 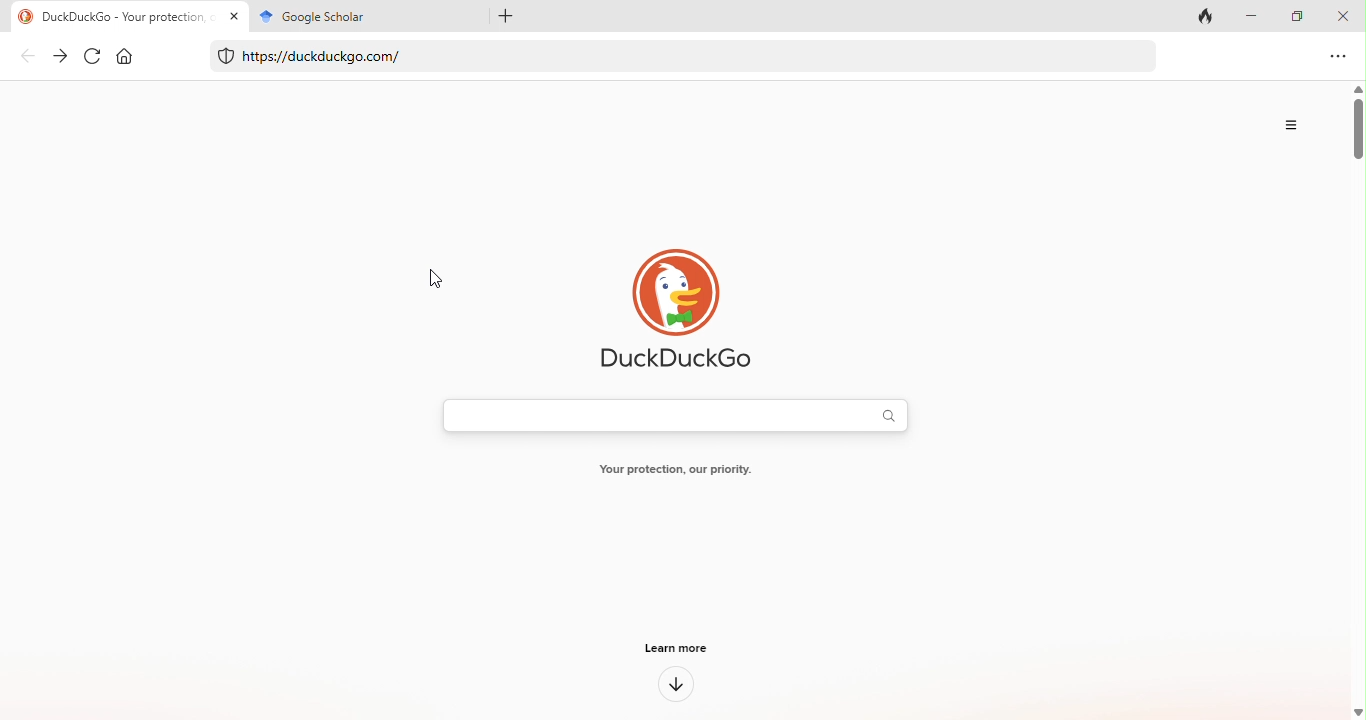 What do you see at coordinates (430, 277) in the screenshot?
I see `cursor` at bounding box center [430, 277].